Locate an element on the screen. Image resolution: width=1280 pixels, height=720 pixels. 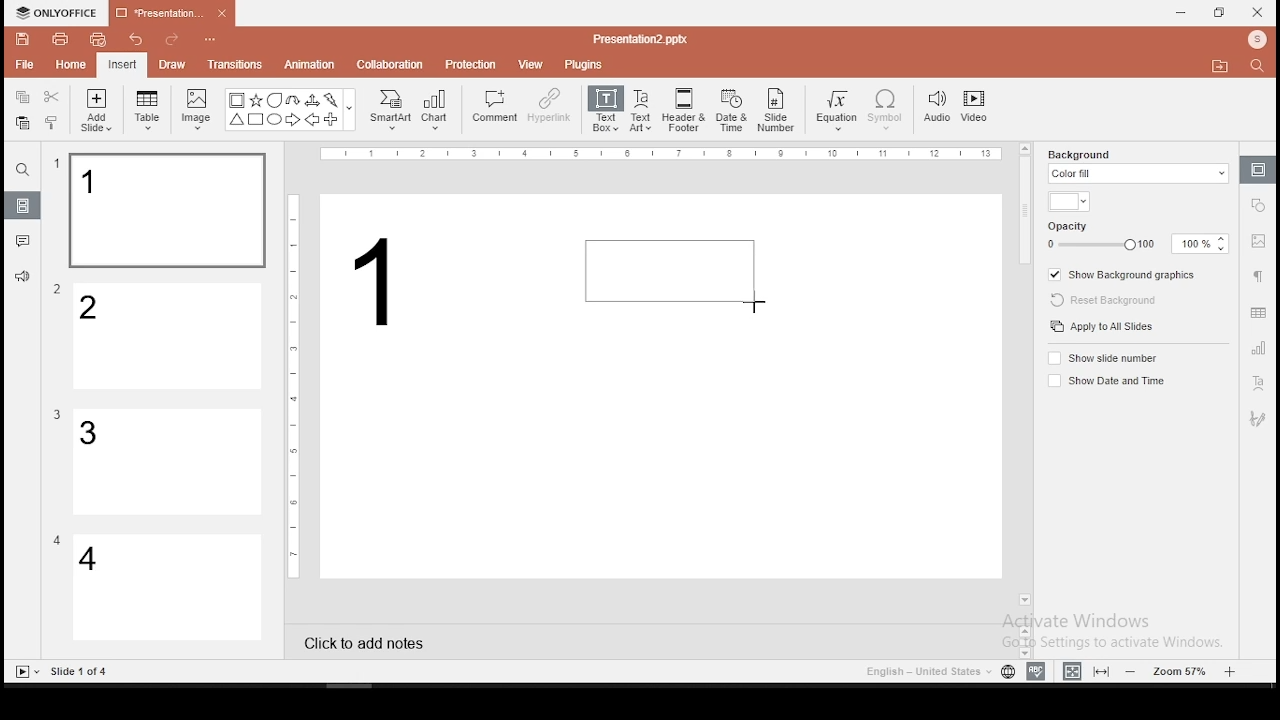
slide number is located at coordinates (777, 110).